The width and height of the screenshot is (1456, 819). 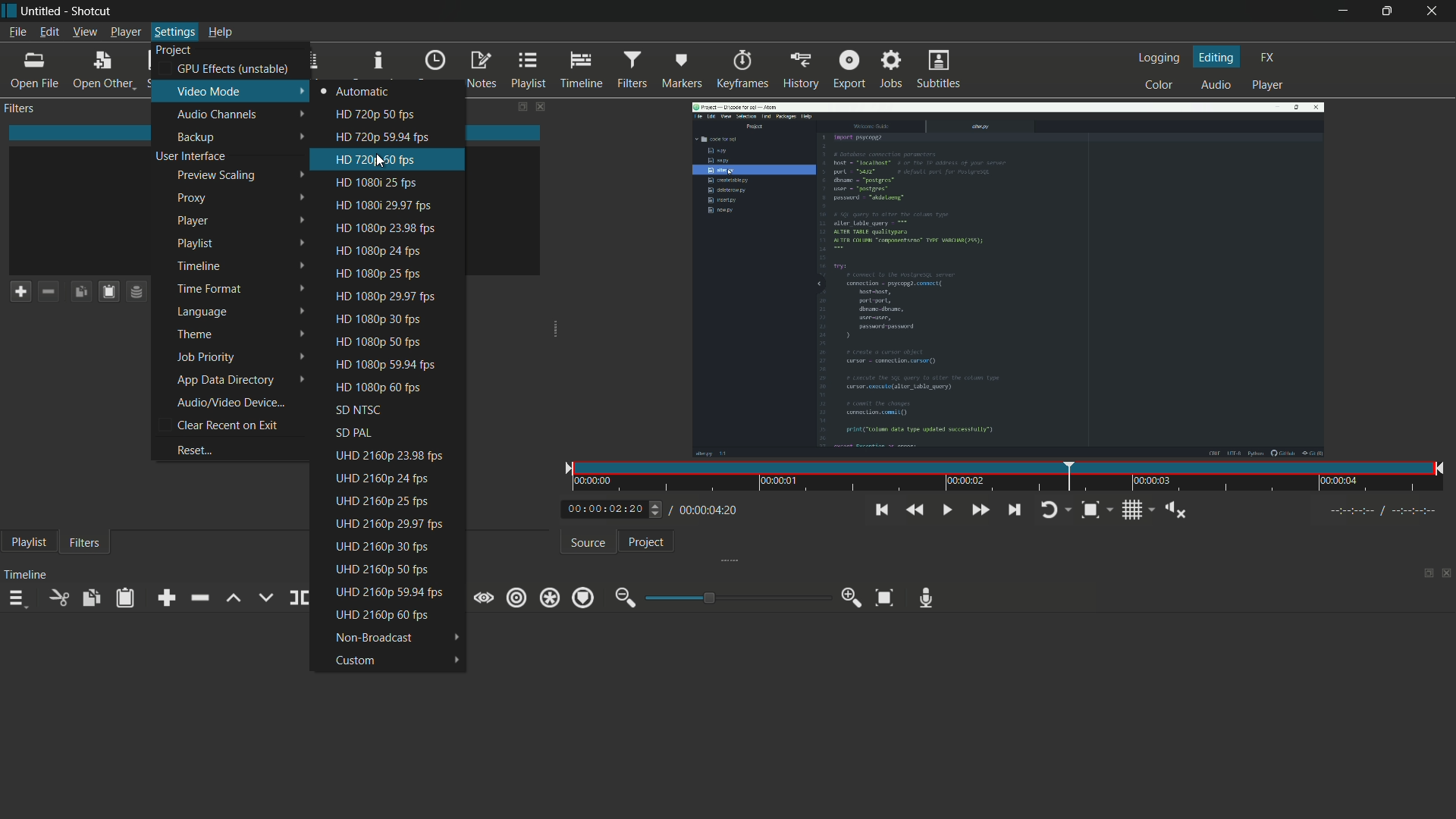 What do you see at coordinates (739, 597) in the screenshot?
I see `adjustment bar` at bounding box center [739, 597].